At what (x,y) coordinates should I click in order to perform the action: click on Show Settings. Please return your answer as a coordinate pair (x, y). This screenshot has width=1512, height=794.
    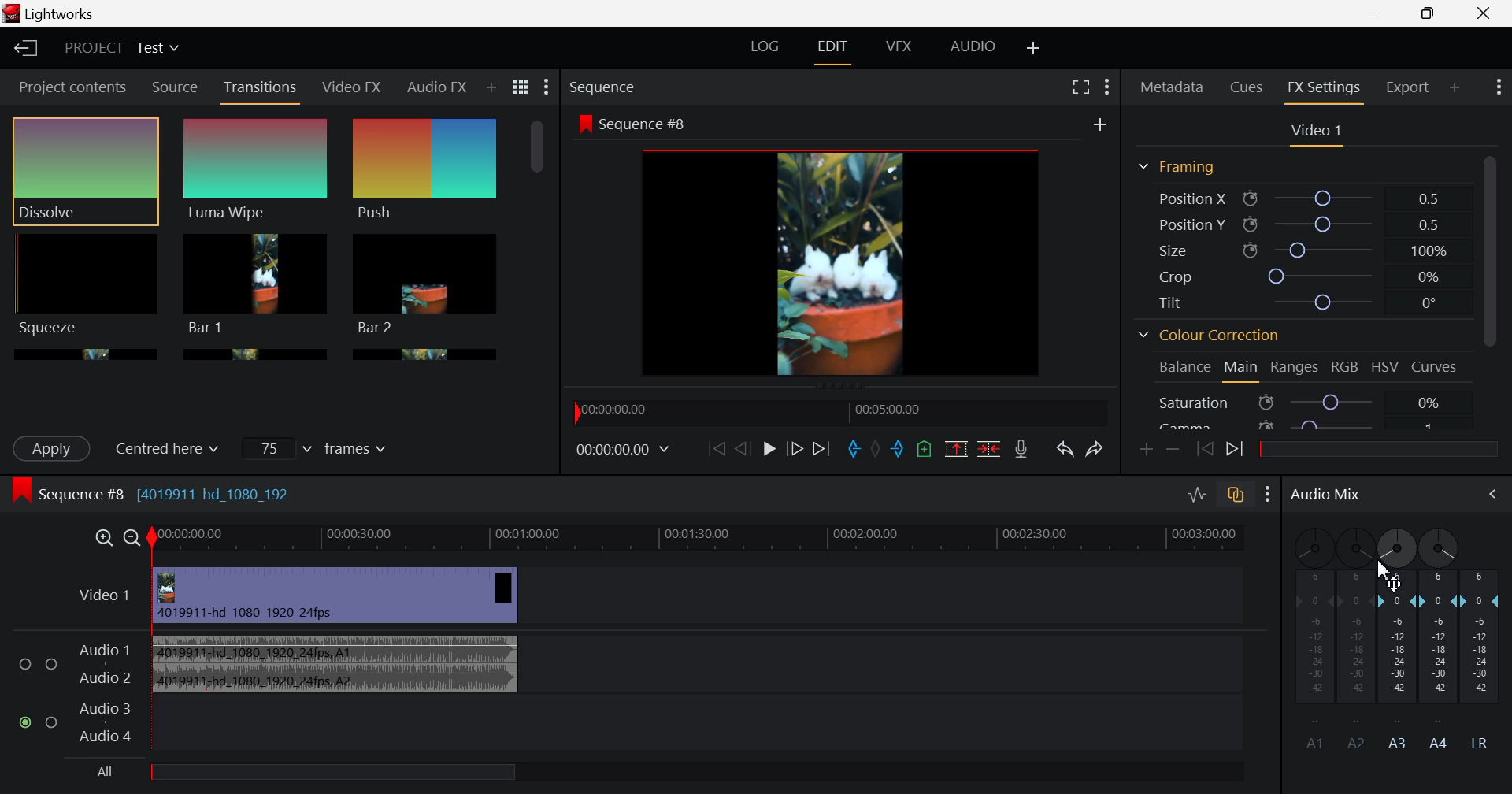
    Looking at the image, I should click on (1106, 87).